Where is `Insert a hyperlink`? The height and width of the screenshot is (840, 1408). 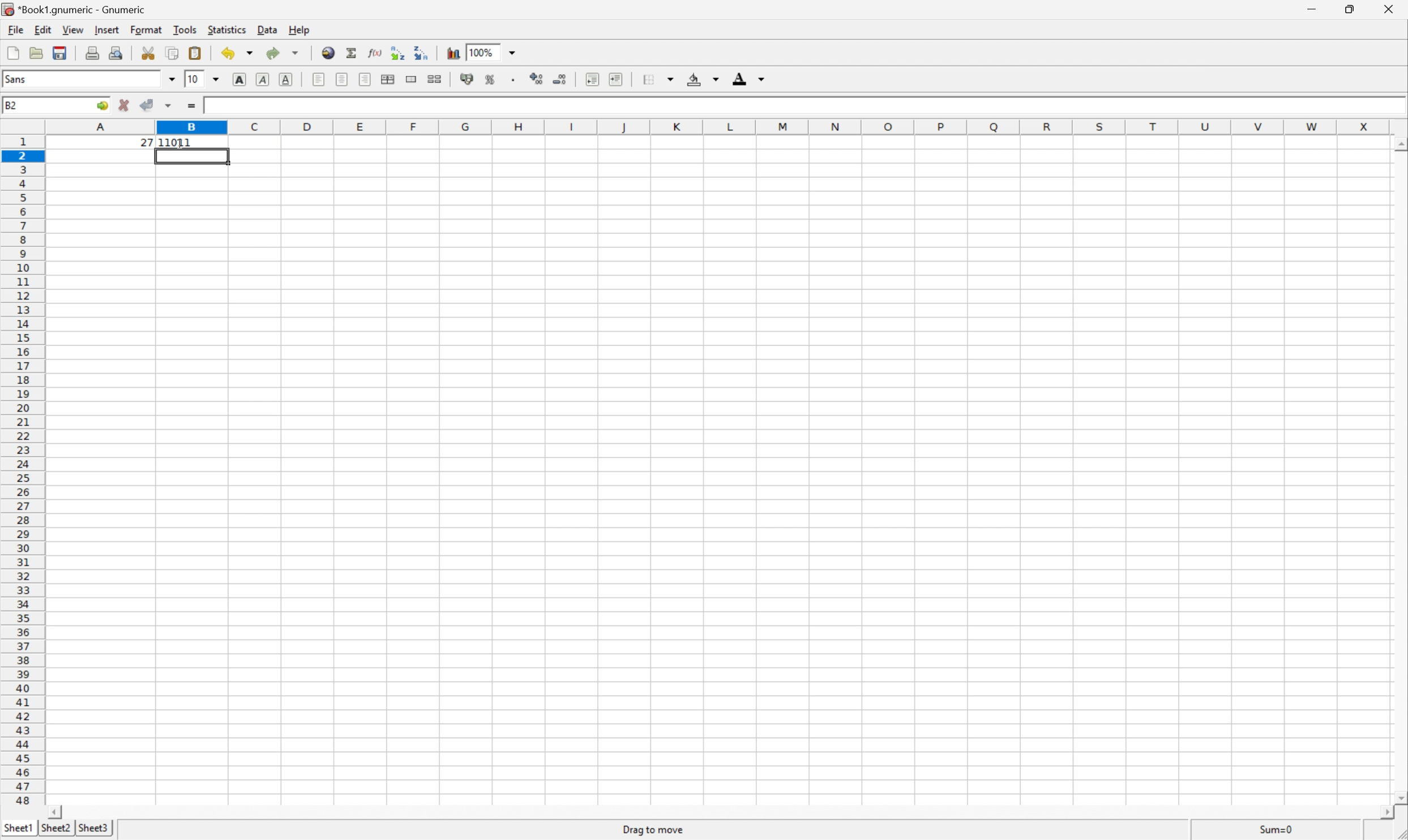
Insert a hyperlink is located at coordinates (328, 54).